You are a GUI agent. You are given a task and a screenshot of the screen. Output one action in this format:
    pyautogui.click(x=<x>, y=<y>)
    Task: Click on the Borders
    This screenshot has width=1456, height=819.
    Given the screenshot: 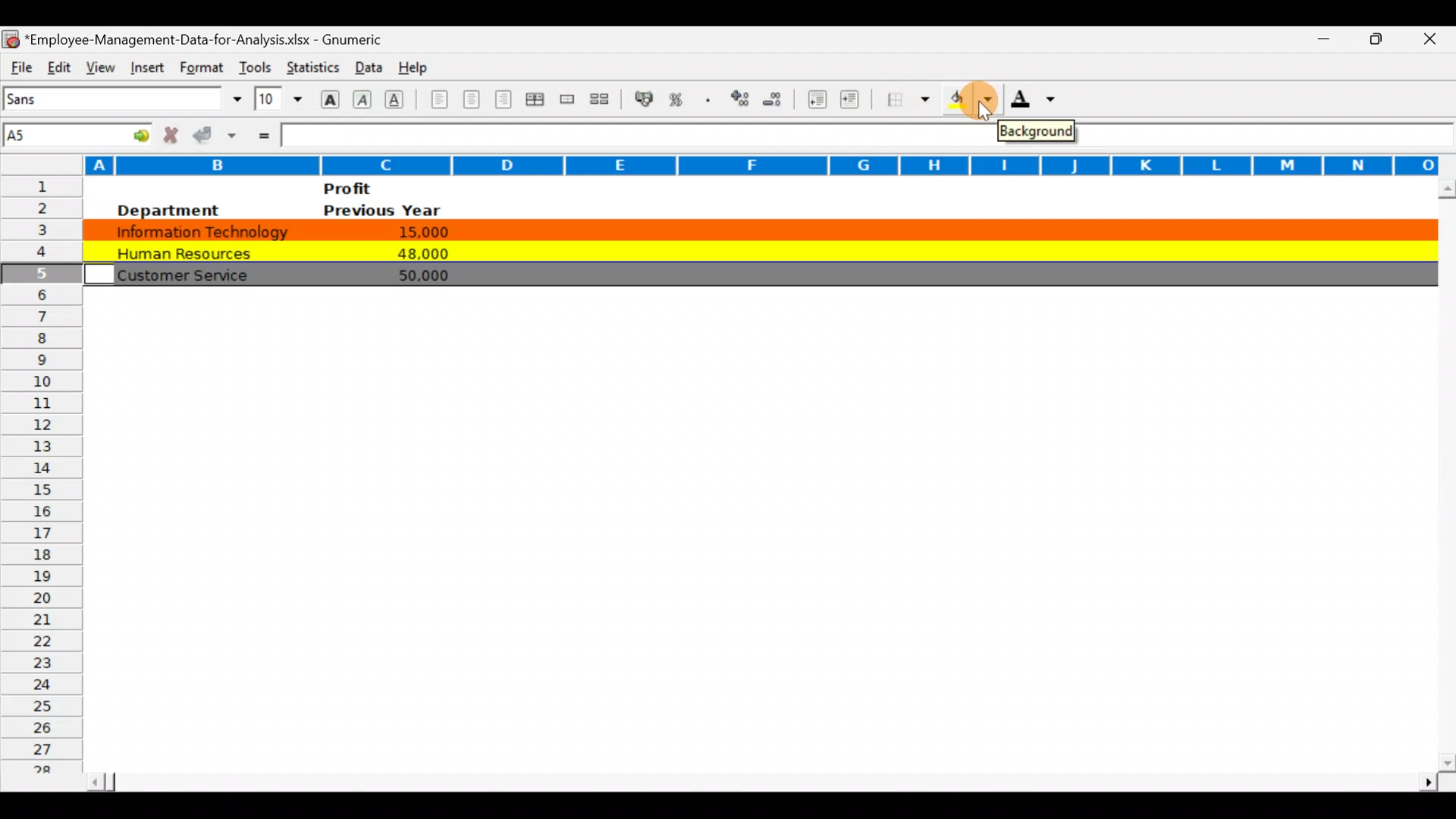 What is the action you would take?
    pyautogui.click(x=908, y=99)
    